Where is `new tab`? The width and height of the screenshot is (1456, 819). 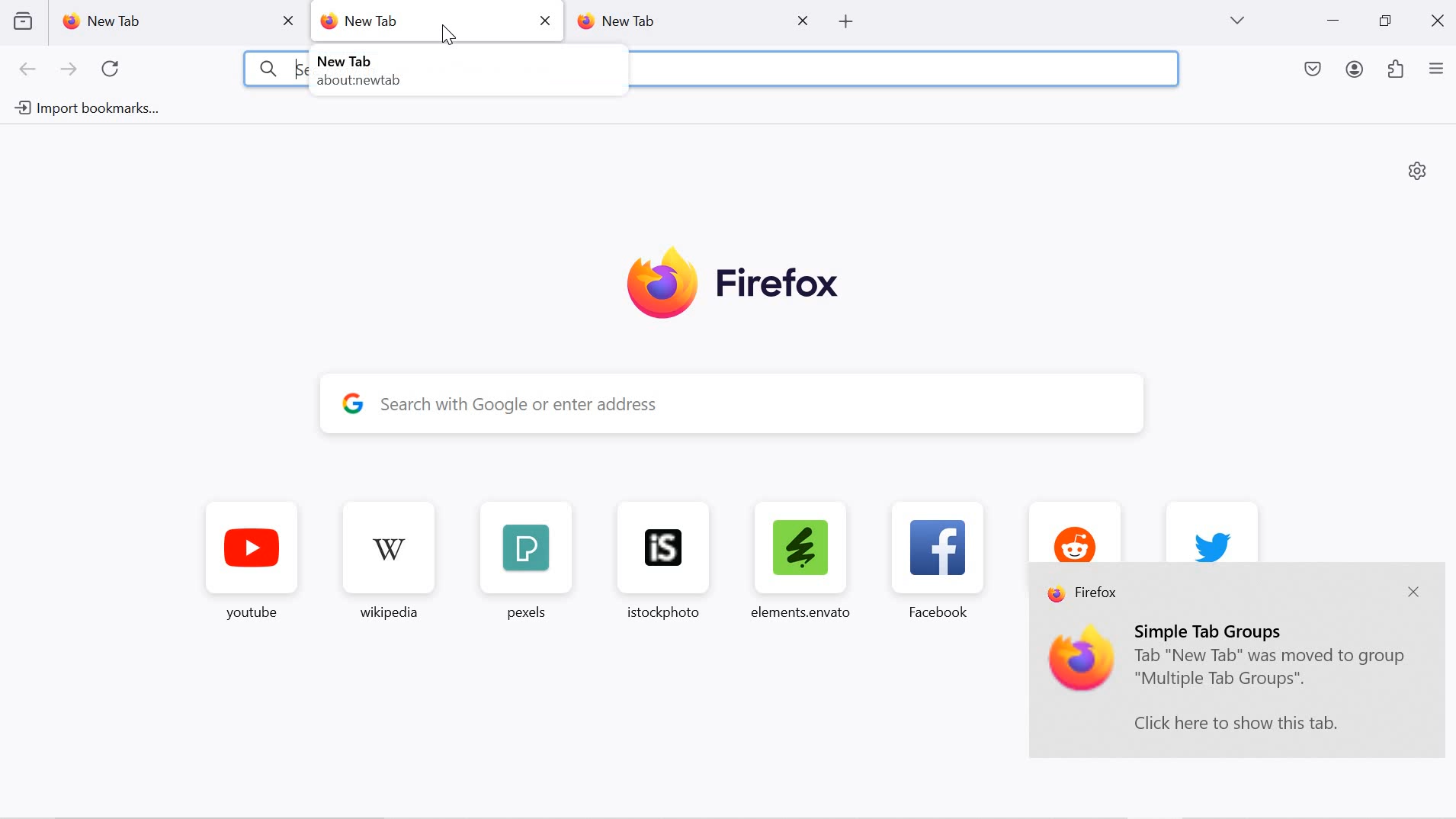 new tab is located at coordinates (159, 21).